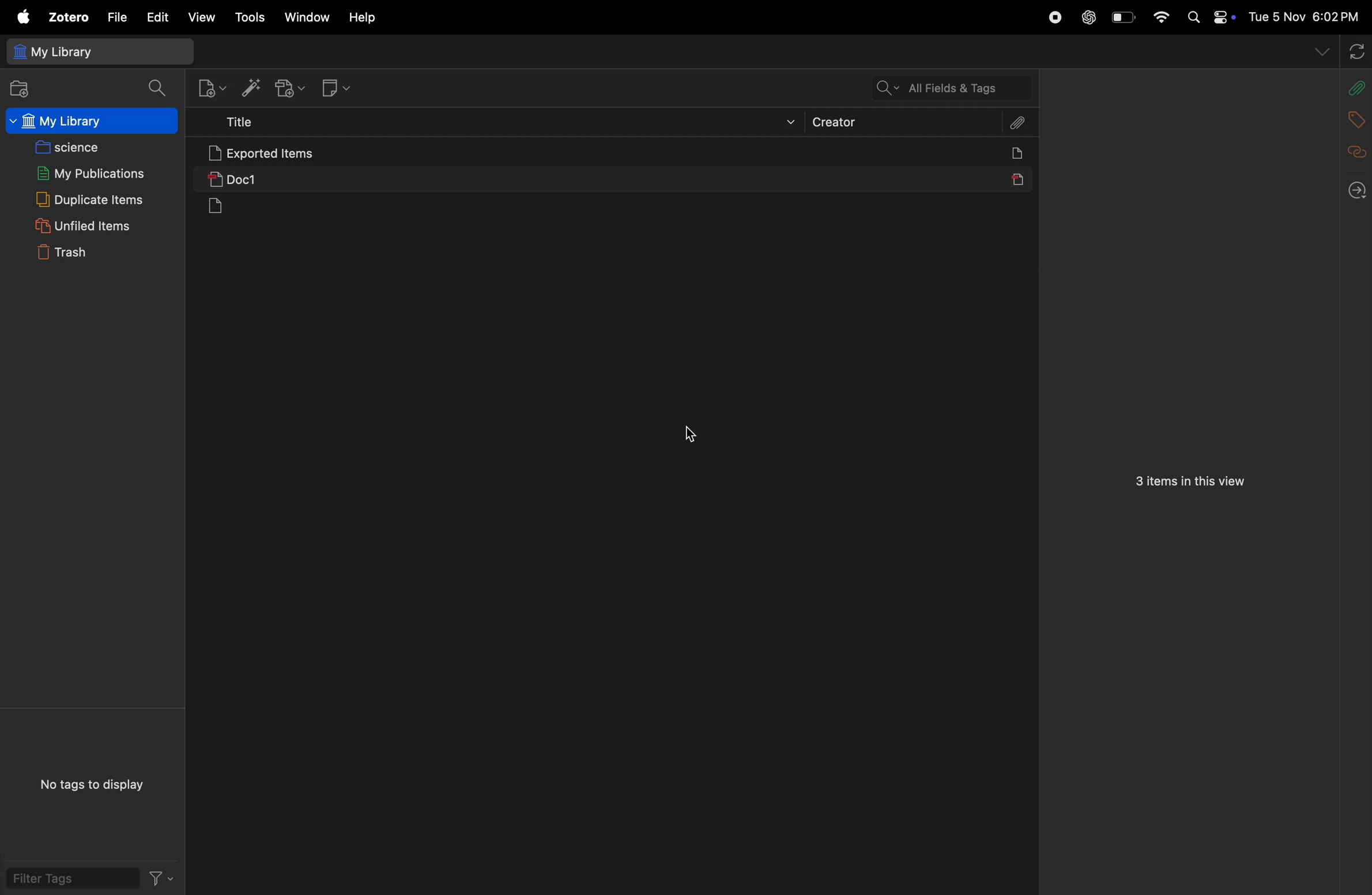  Describe the element at coordinates (93, 784) in the screenshot. I see `no tags to display` at that location.